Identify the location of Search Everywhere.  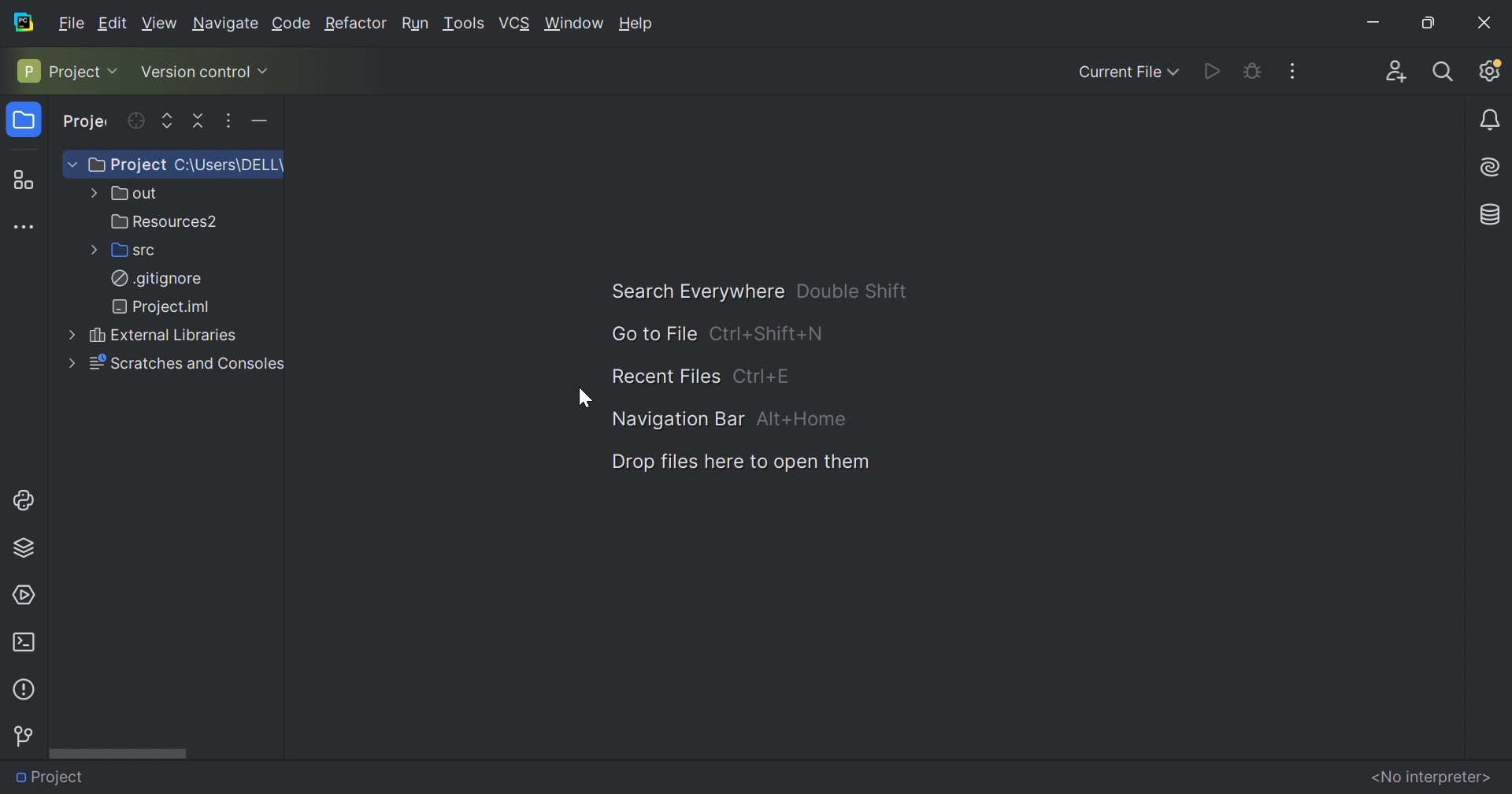
(691, 291).